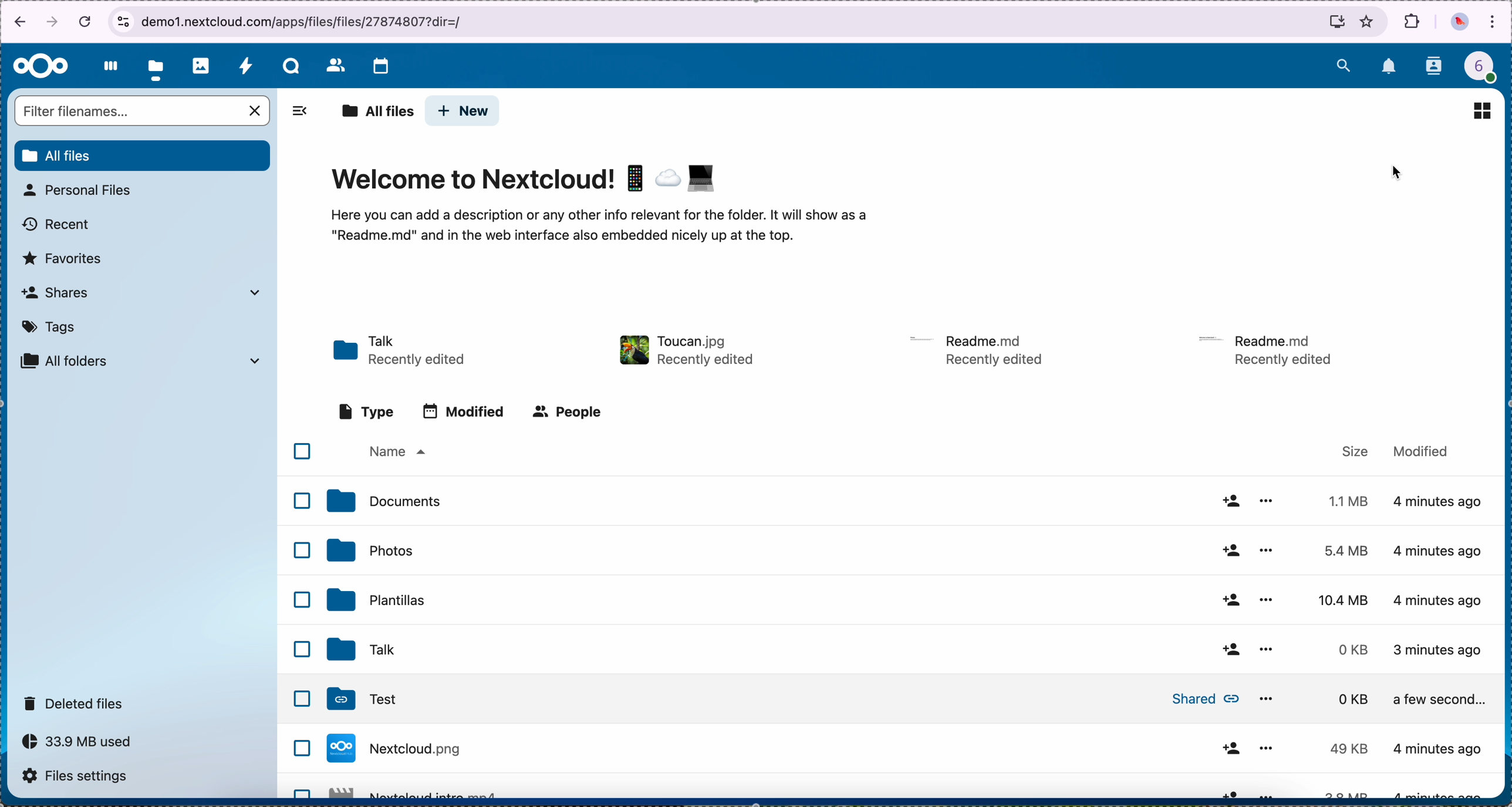 This screenshot has width=1512, height=807. What do you see at coordinates (1266, 549) in the screenshot?
I see `more options` at bounding box center [1266, 549].